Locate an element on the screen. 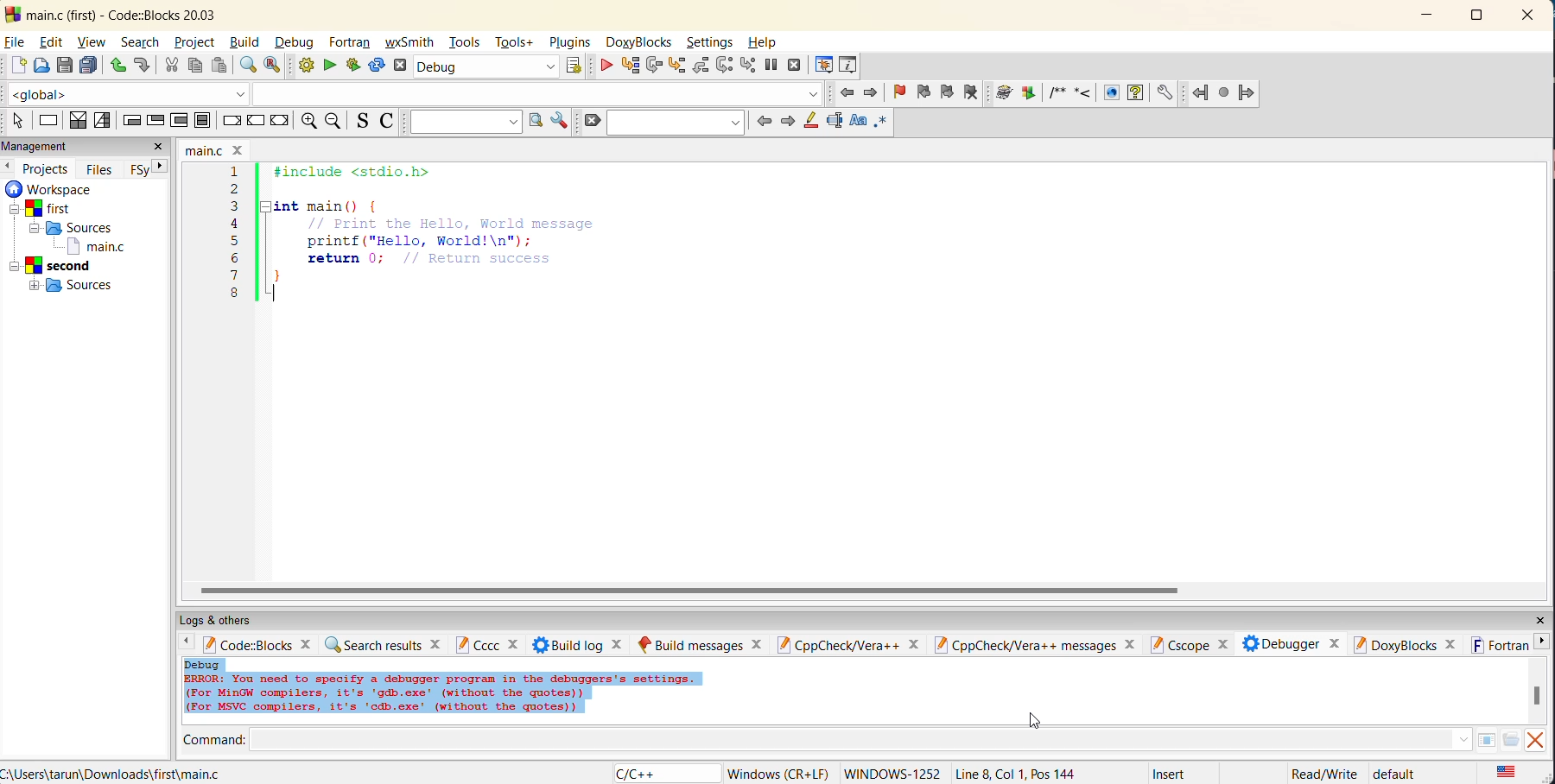 The height and width of the screenshot is (784, 1555). Run doxywizard is located at coordinates (1003, 92).